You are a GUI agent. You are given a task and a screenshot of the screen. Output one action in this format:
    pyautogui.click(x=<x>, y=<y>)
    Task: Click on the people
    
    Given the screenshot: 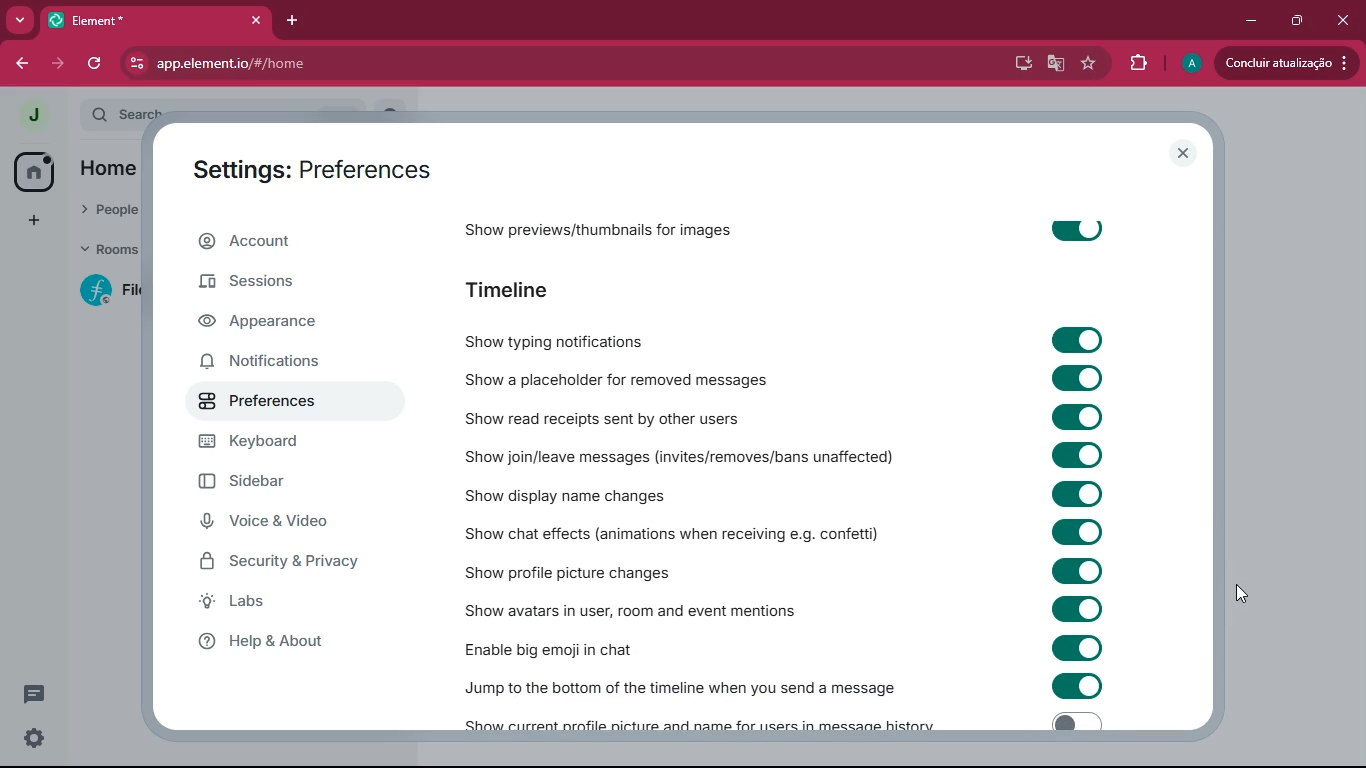 What is the action you would take?
    pyautogui.click(x=108, y=211)
    